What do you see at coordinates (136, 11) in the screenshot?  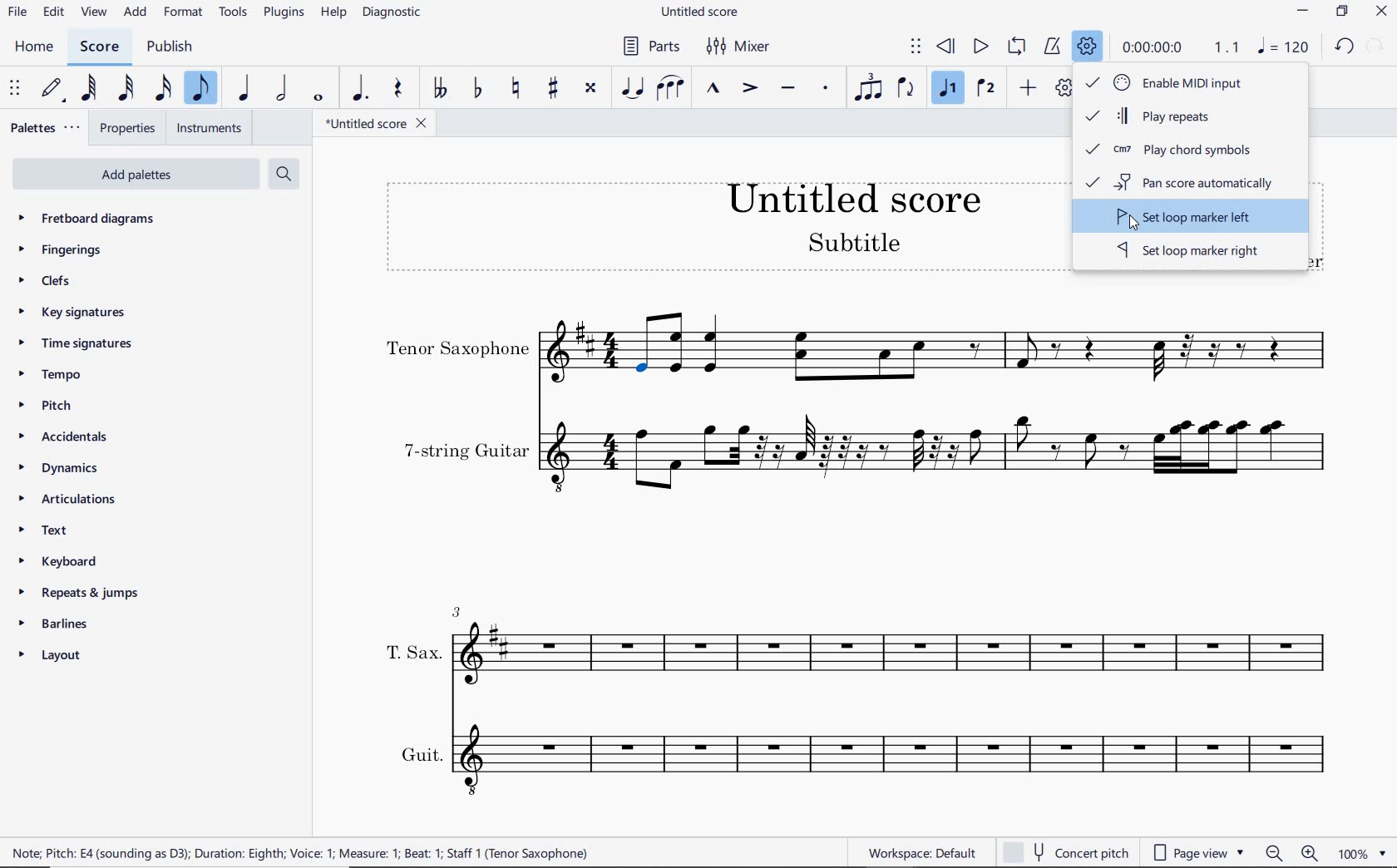 I see `ADD` at bounding box center [136, 11].